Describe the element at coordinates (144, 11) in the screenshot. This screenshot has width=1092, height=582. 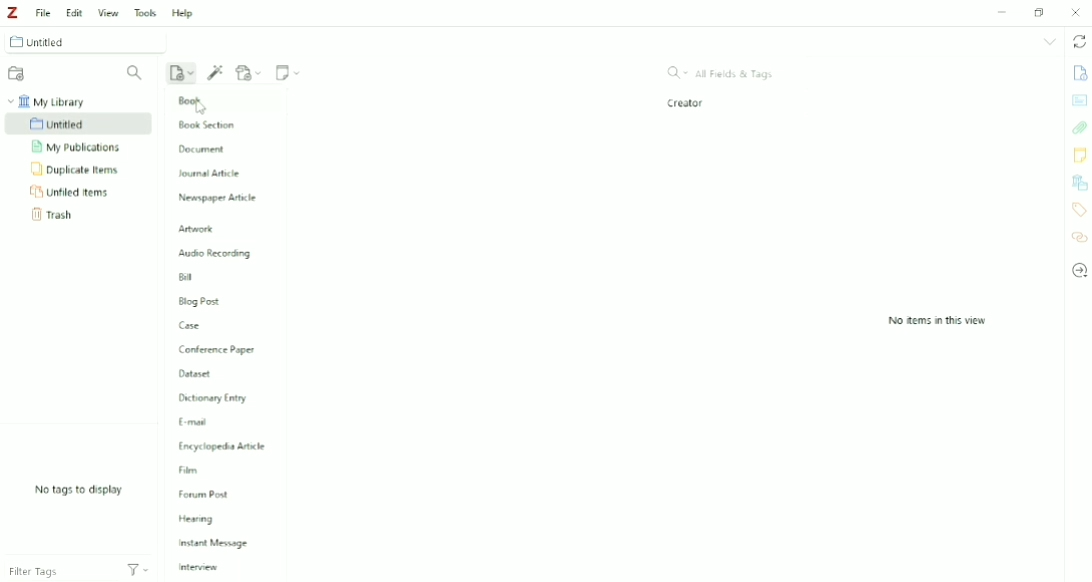
I see `Tools` at that location.